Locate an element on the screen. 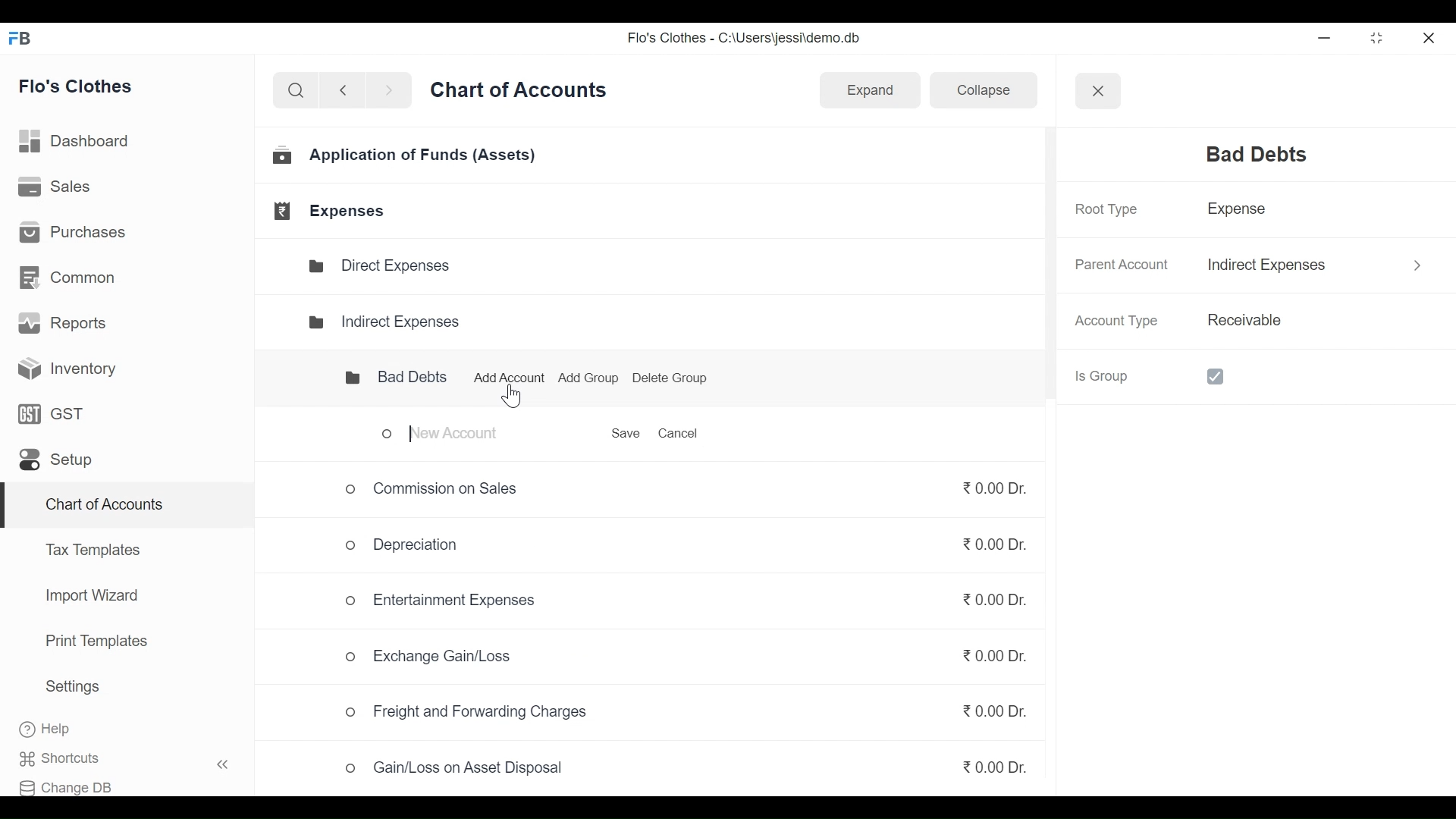 The width and height of the screenshot is (1456, 819). Settings is located at coordinates (72, 689).